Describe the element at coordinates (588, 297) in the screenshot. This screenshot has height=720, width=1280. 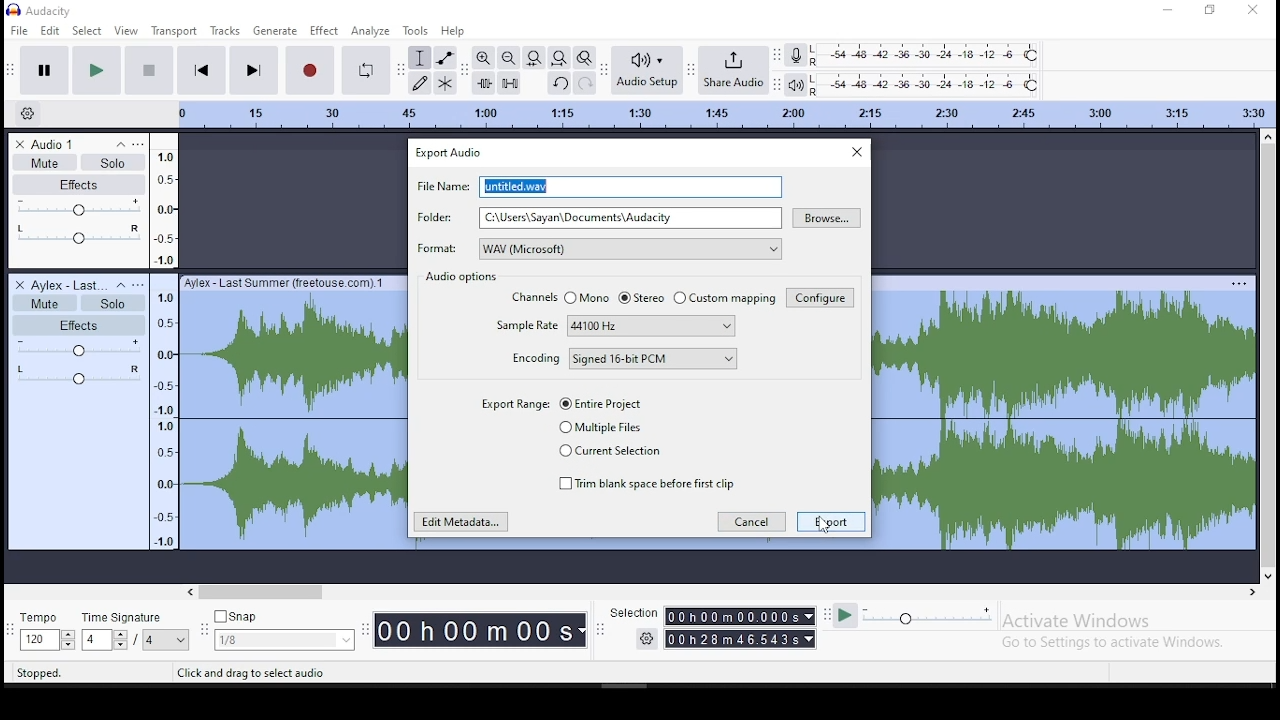
I see `mono` at that location.